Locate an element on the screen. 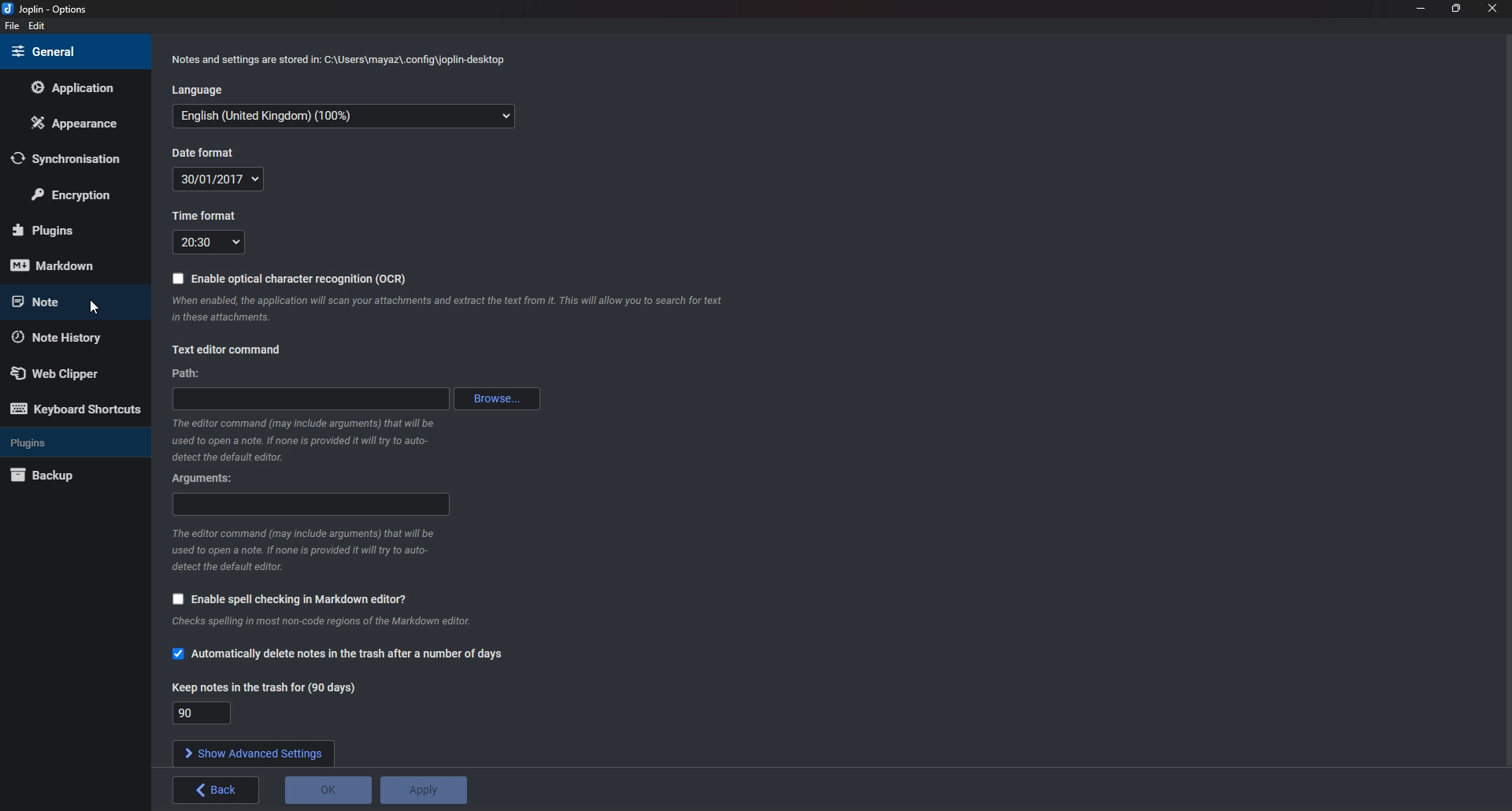 The height and width of the screenshot is (811, 1512). Minimize is located at coordinates (1421, 7).